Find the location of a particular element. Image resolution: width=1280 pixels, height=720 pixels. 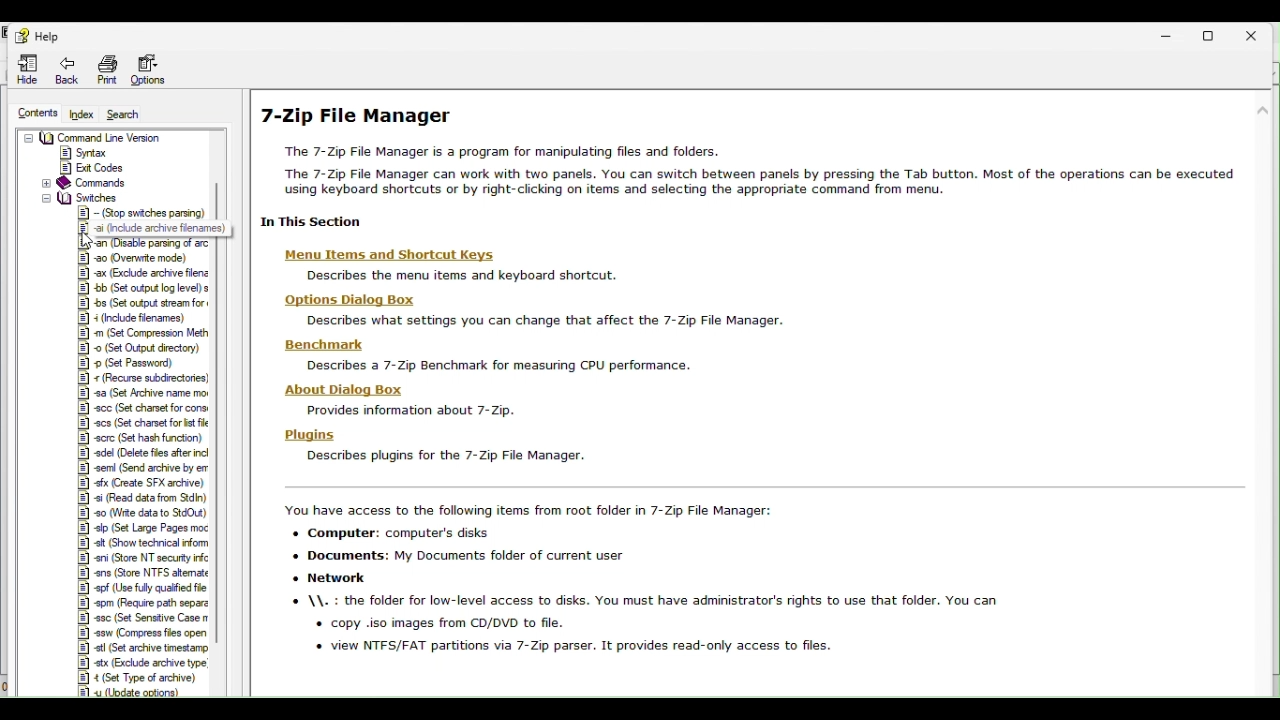

| In This Section is located at coordinates (314, 223).